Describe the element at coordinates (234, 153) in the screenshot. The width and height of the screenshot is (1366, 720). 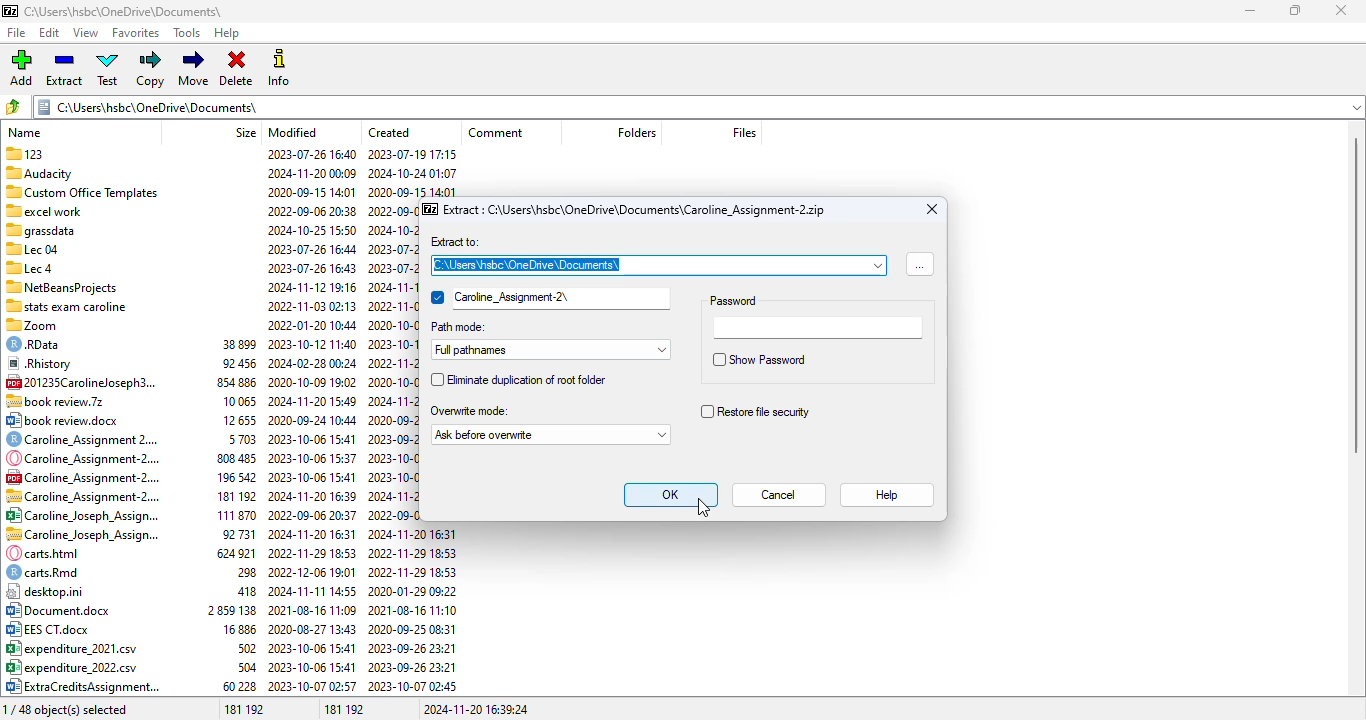
I see `123` at that location.